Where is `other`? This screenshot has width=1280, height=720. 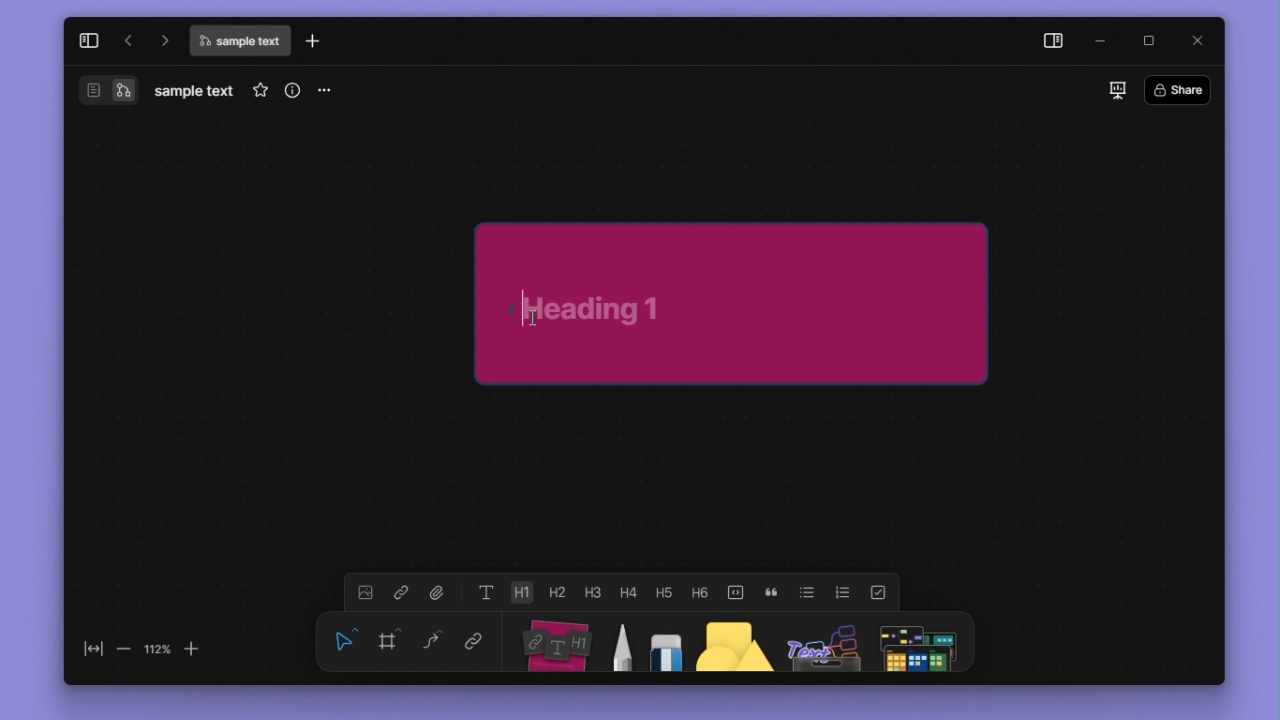 other is located at coordinates (824, 642).